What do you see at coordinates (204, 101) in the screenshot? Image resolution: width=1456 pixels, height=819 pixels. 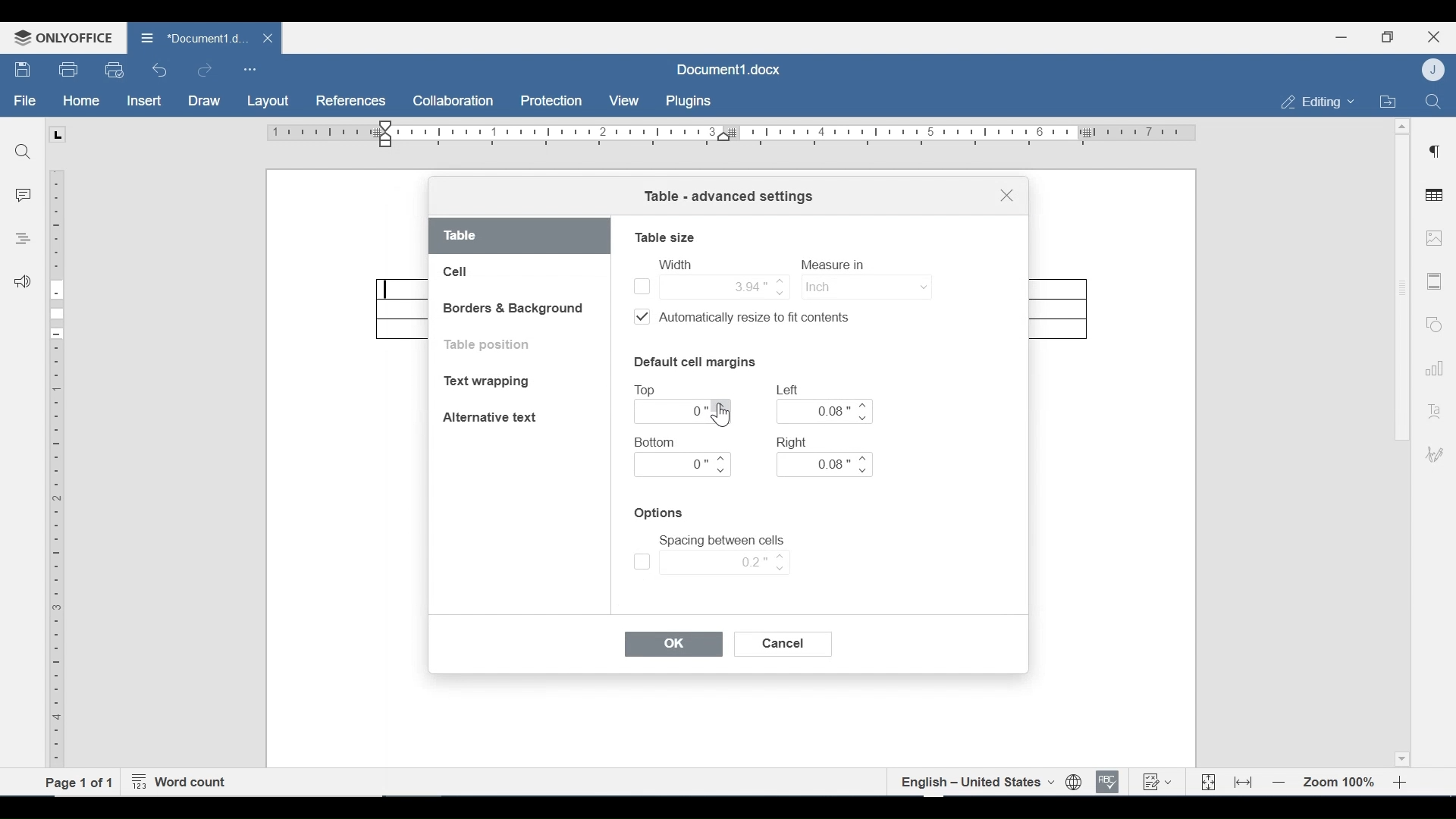 I see `Draw` at bounding box center [204, 101].